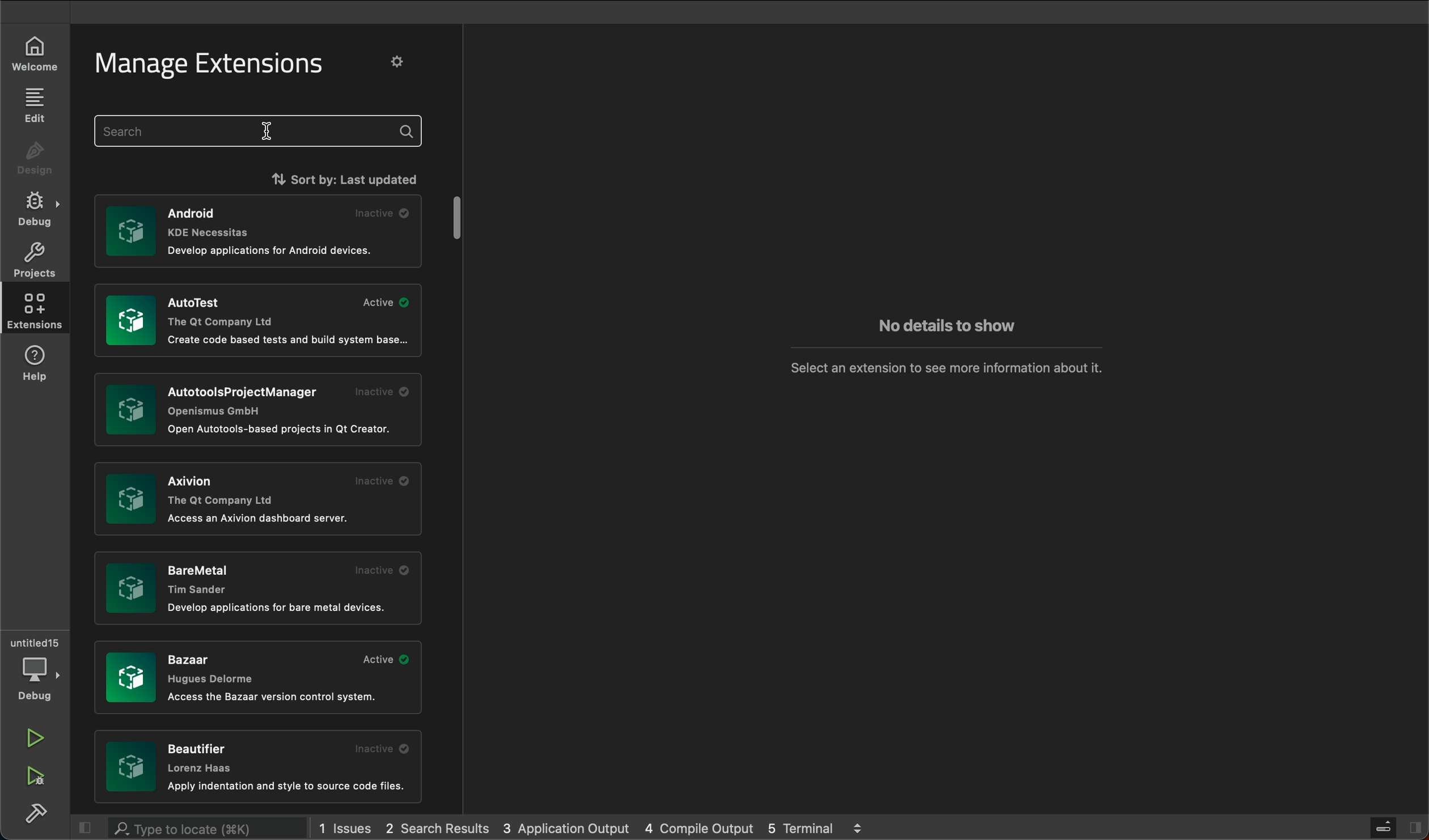 The height and width of the screenshot is (840, 1429). Describe the element at coordinates (280, 608) in the screenshot. I see `extension text` at that location.